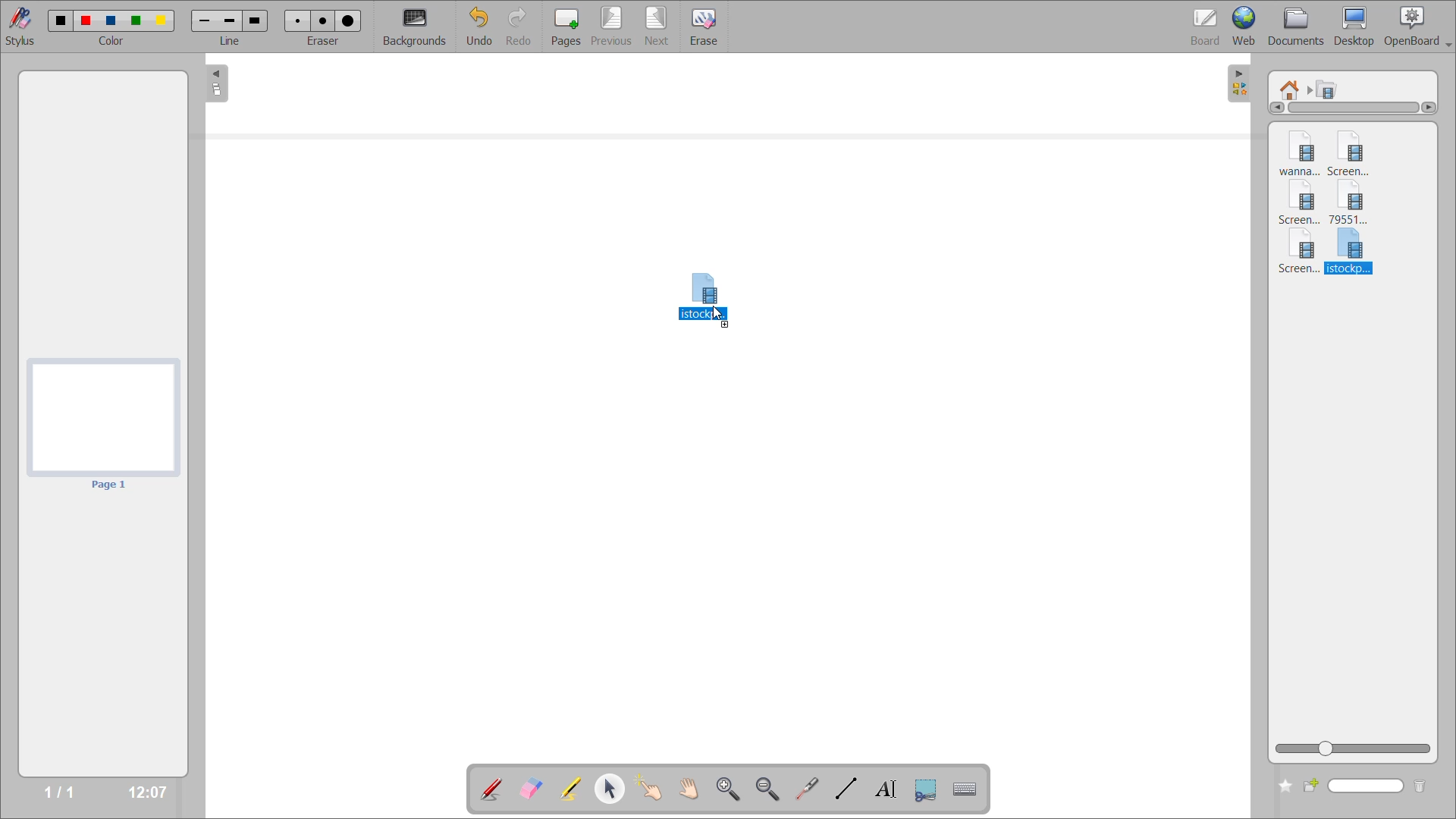 The height and width of the screenshot is (819, 1456). I want to click on line 3, so click(253, 20).